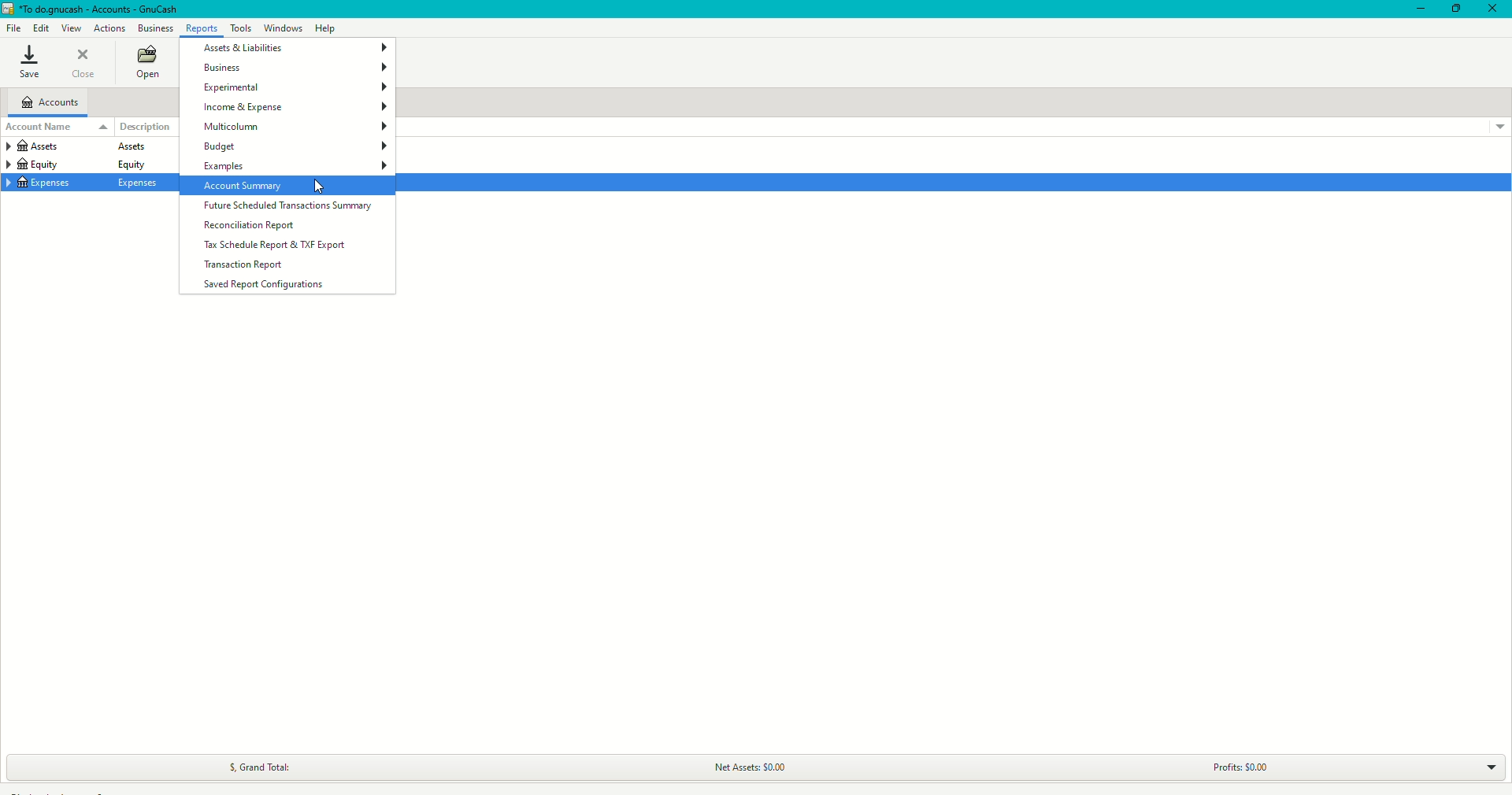 The image size is (1512, 795). What do you see at coordinates (51, 100) in the screenshot?
I see `Accounts` at bounding box center [51, 100].